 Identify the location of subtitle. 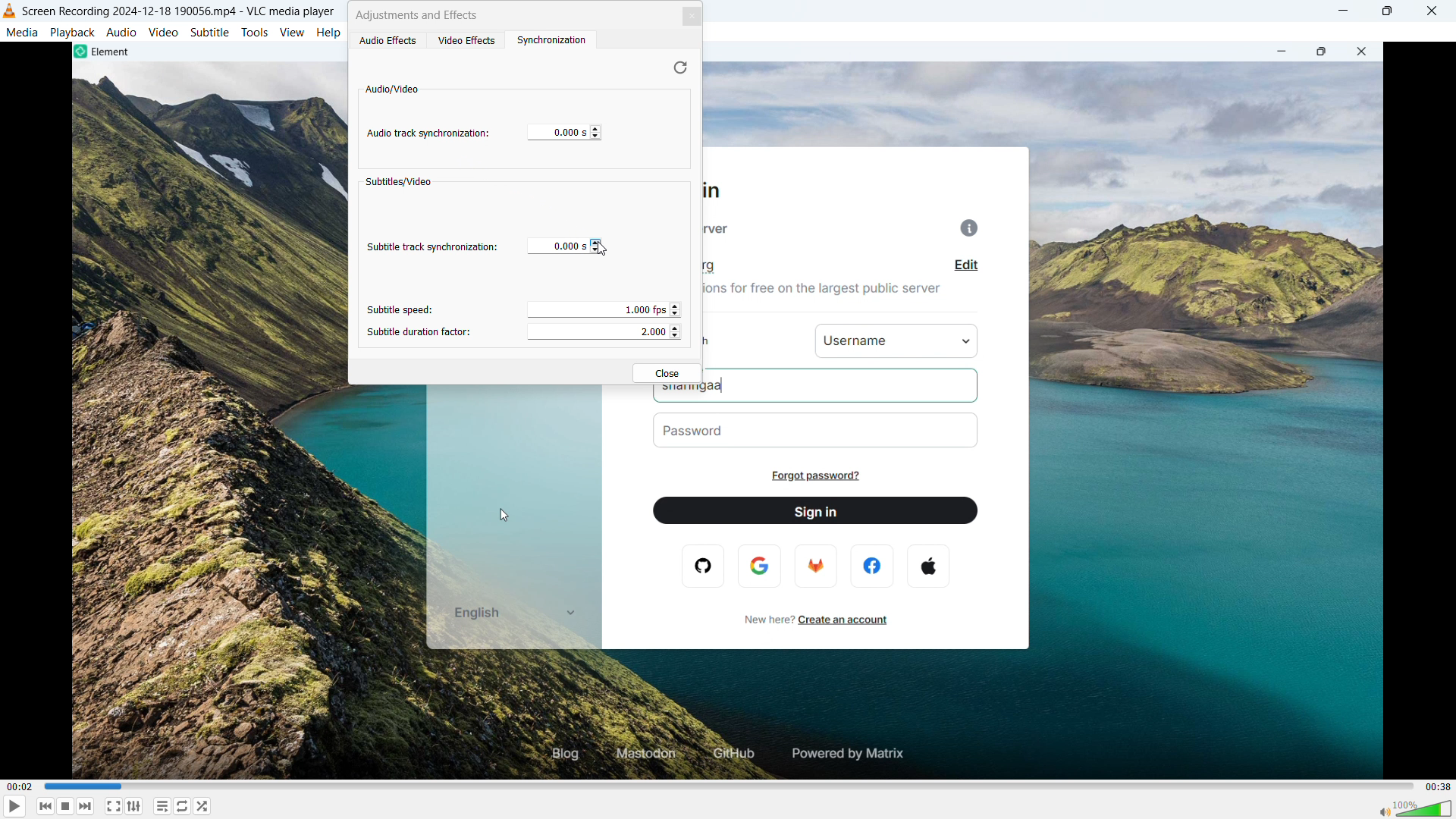
(209, 32).